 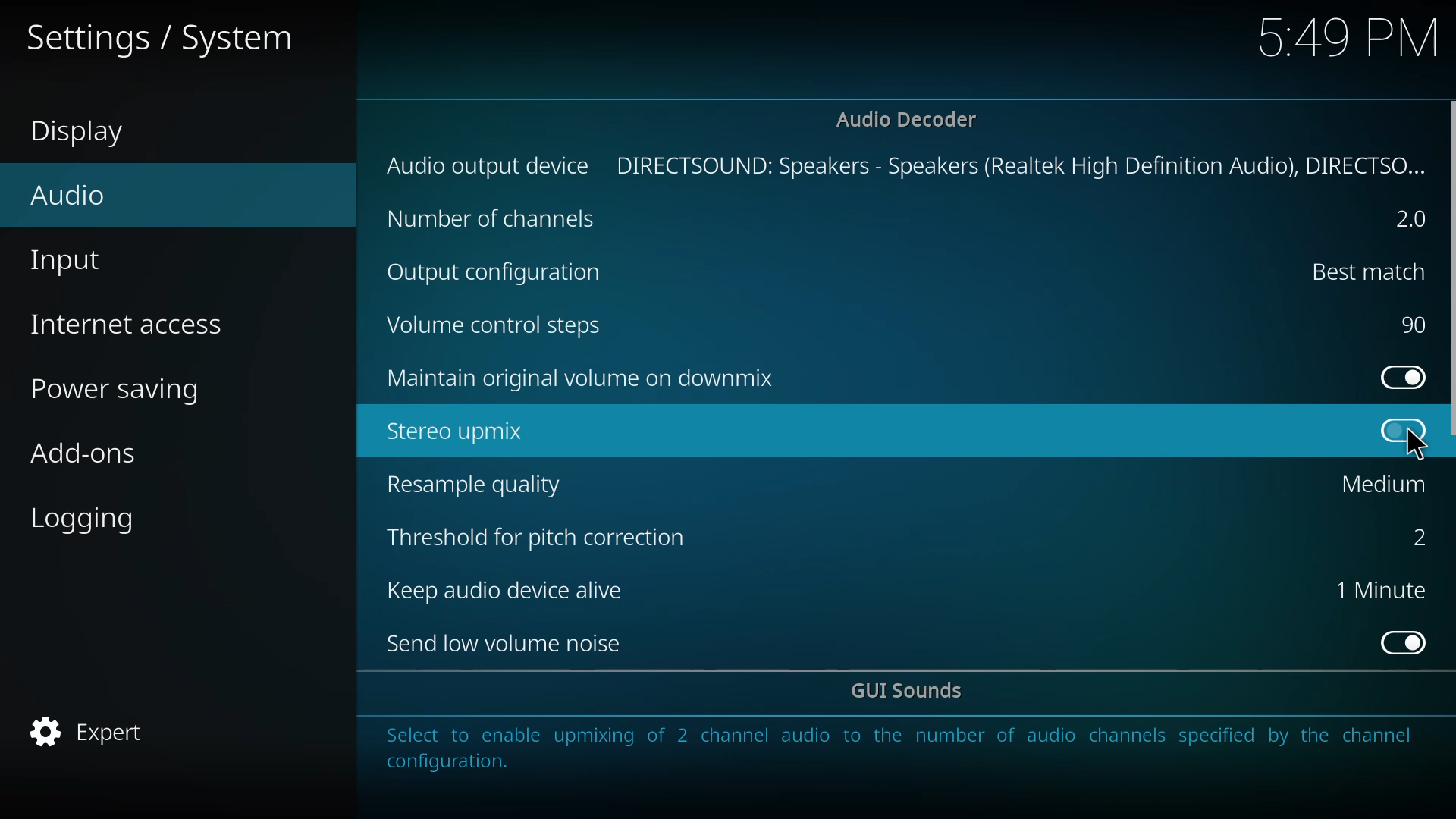 What do you see at coordinates (171, 35) in the screenshot?
I see `settings system` at bounding box center [171, 35].